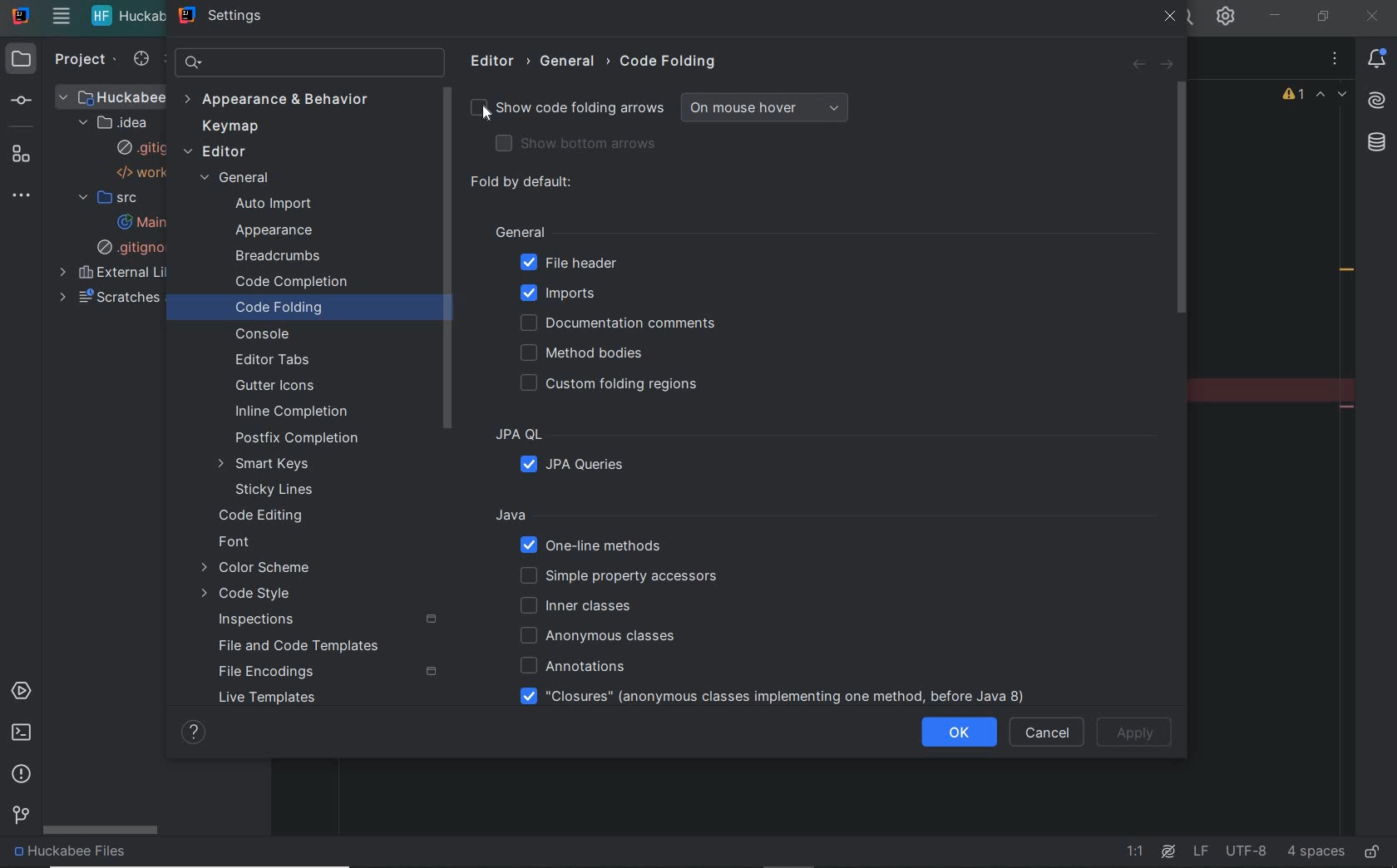 The image size is (1397, 868). I want to click on structure, so click(27, 154).